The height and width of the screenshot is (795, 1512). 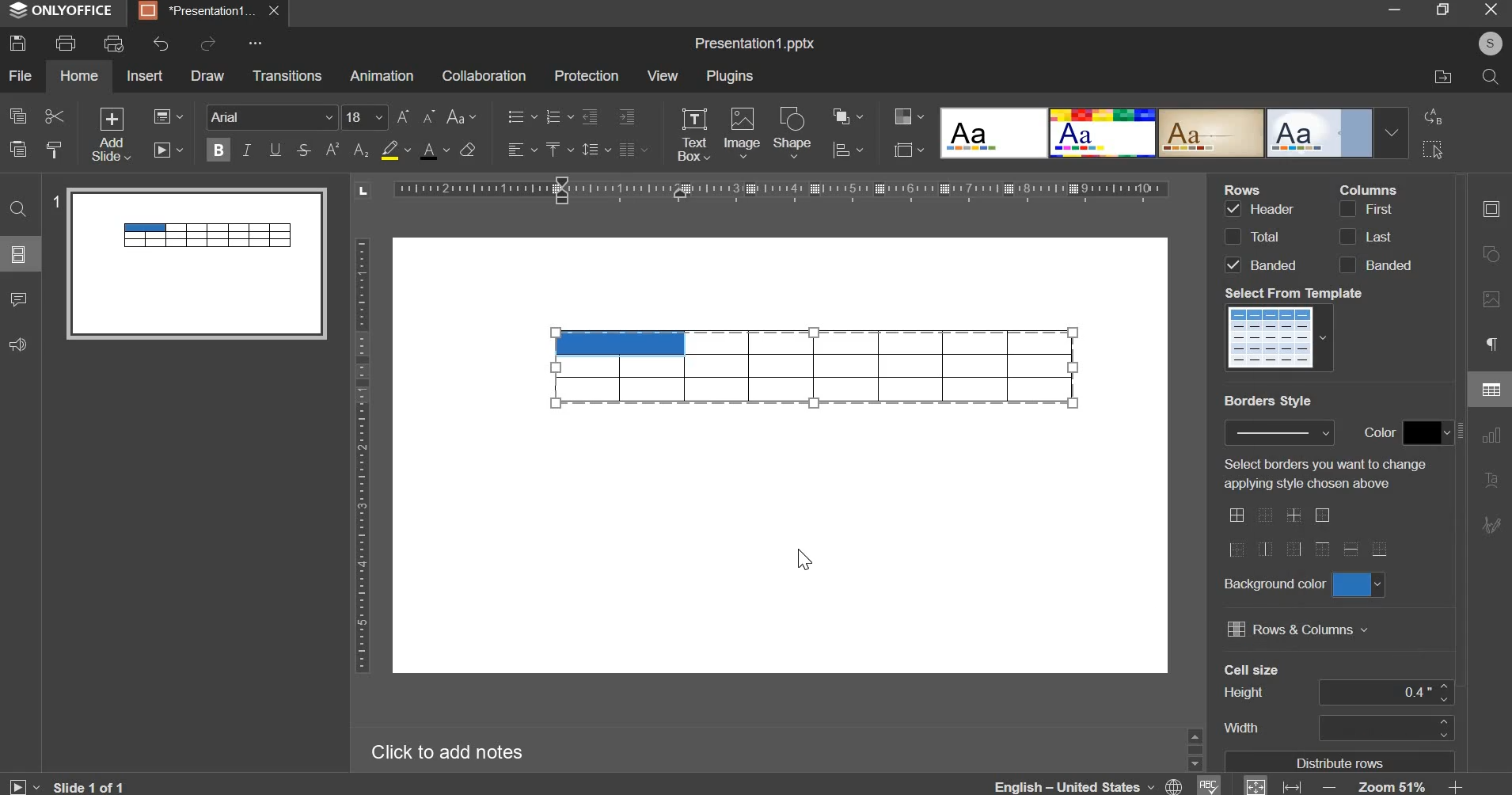 I want to click on design, so click(x=1173, y=131).